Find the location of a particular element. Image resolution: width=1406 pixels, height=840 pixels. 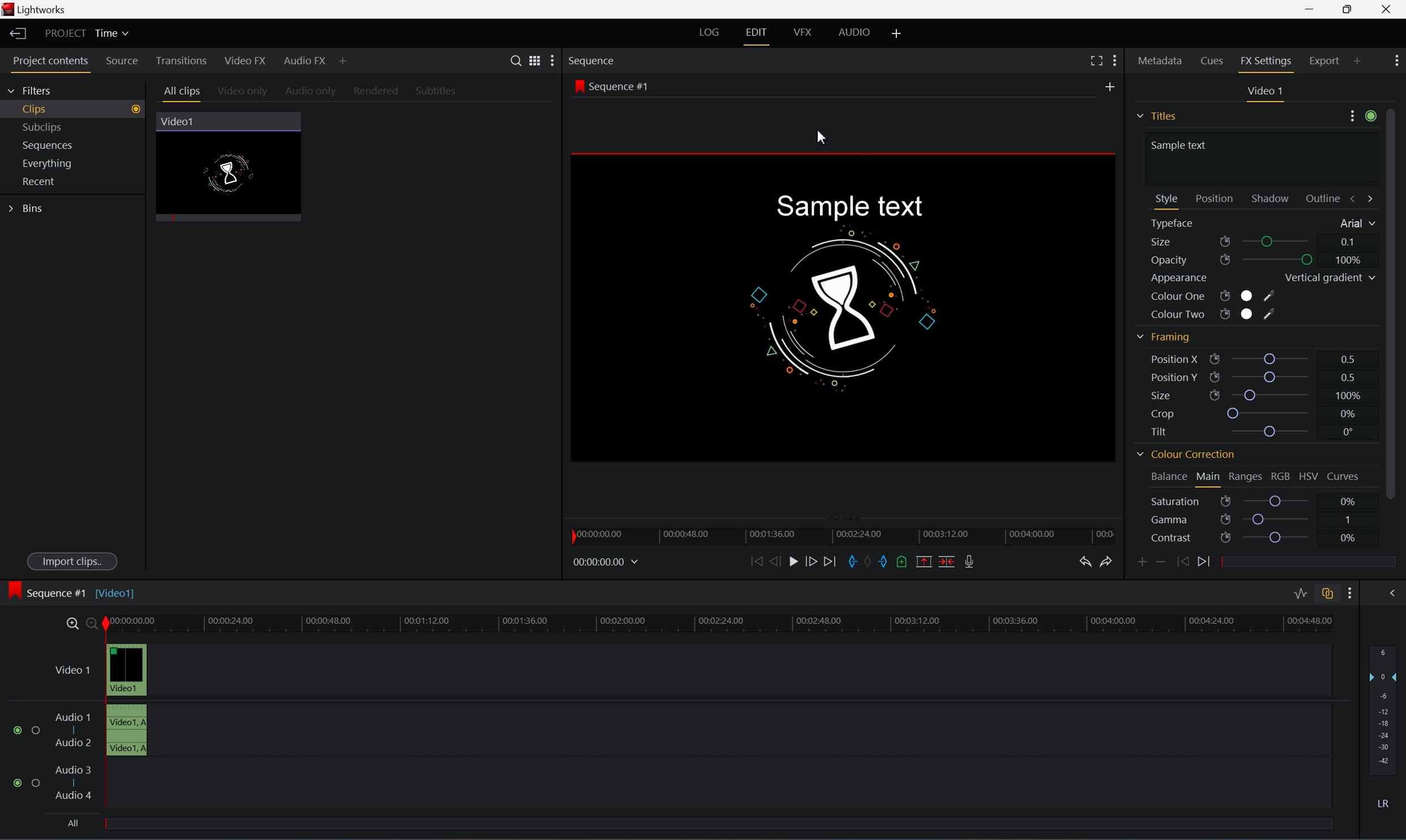

slider is located at coordinates (1273, 357).